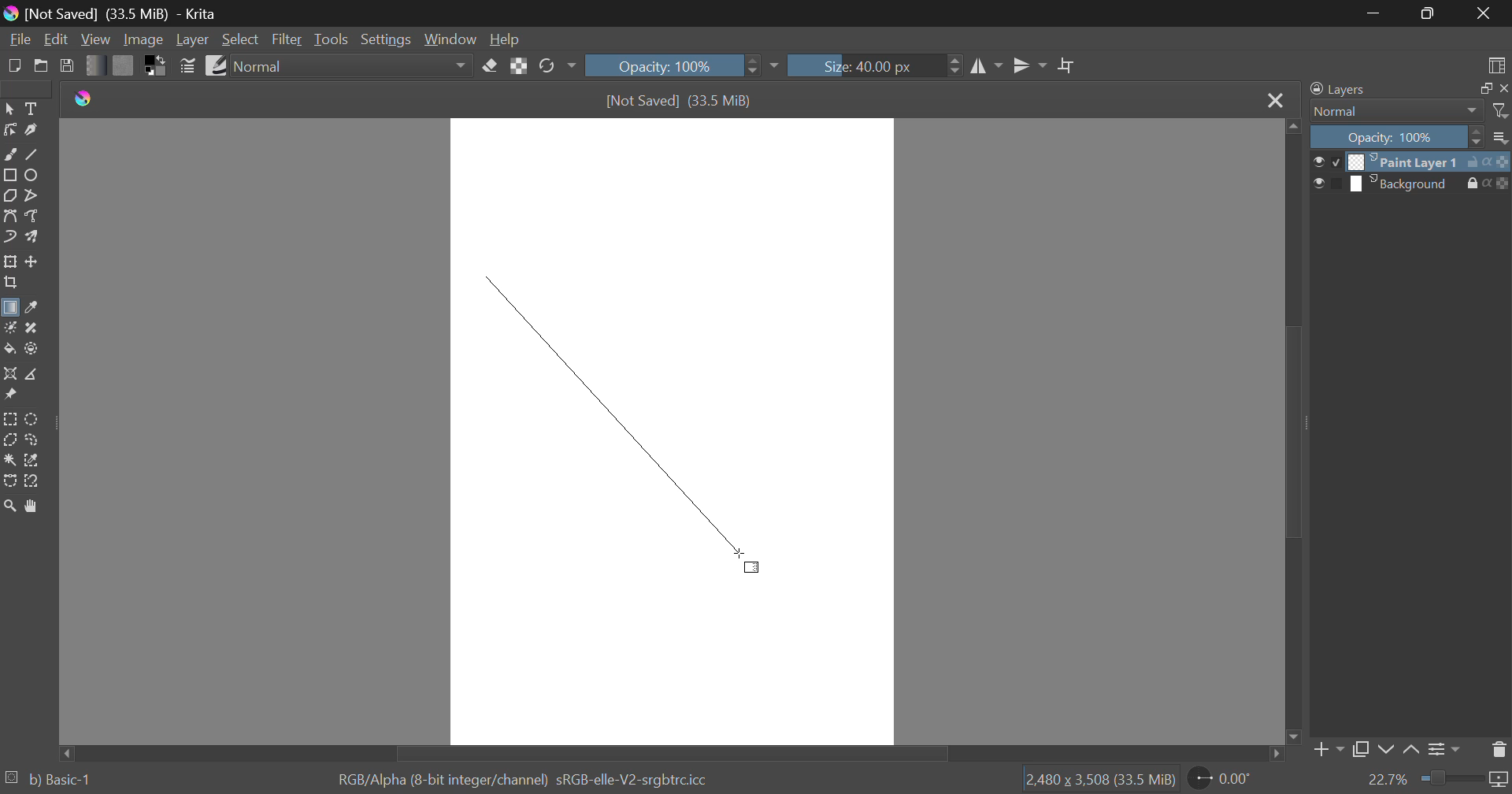  What do you see at coordinates (31, 481) in the screenshot?
I see `Magnetic Selection` at bounding box center [31, 481].